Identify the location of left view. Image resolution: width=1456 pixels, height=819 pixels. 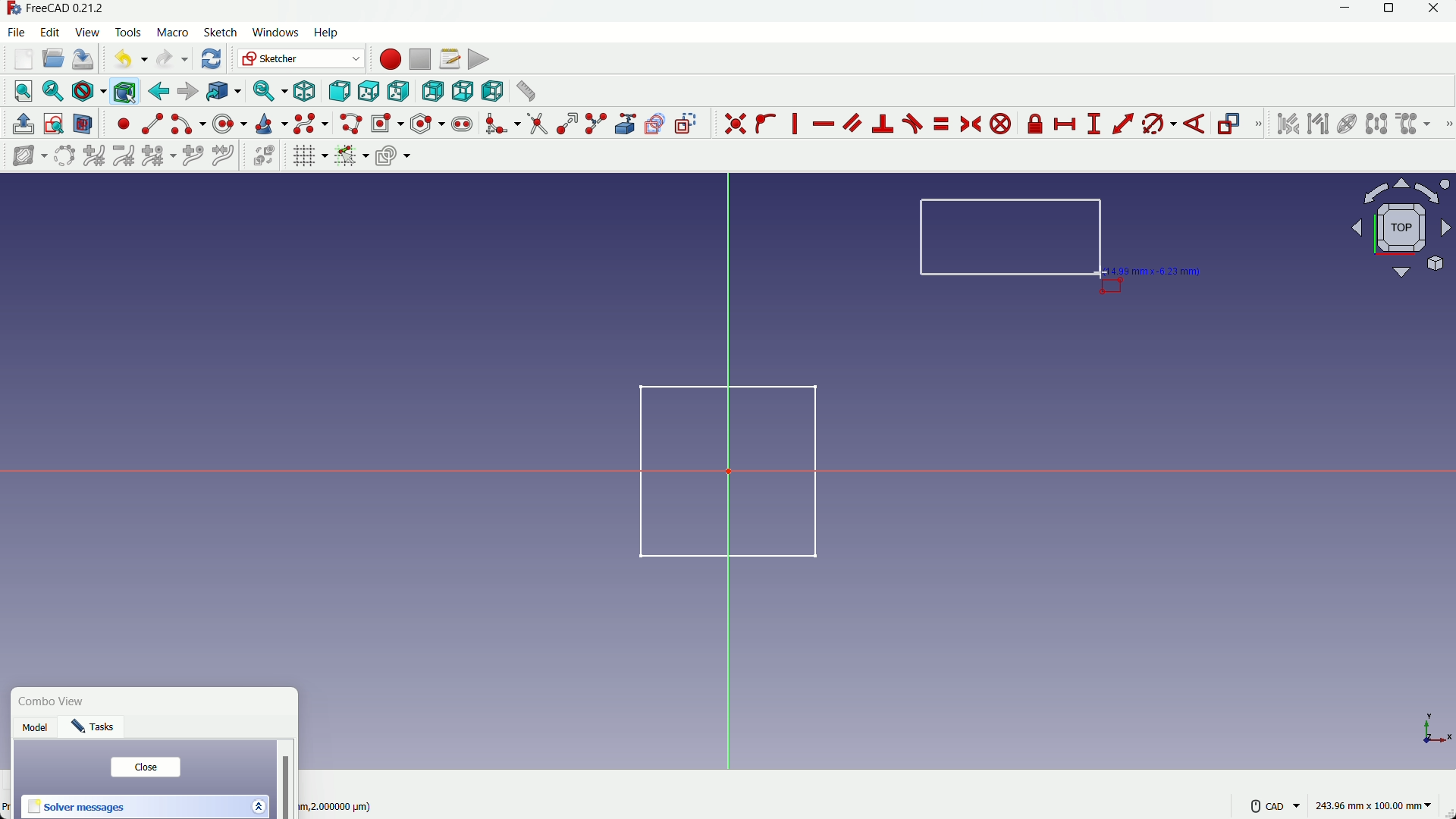
(490, 90).